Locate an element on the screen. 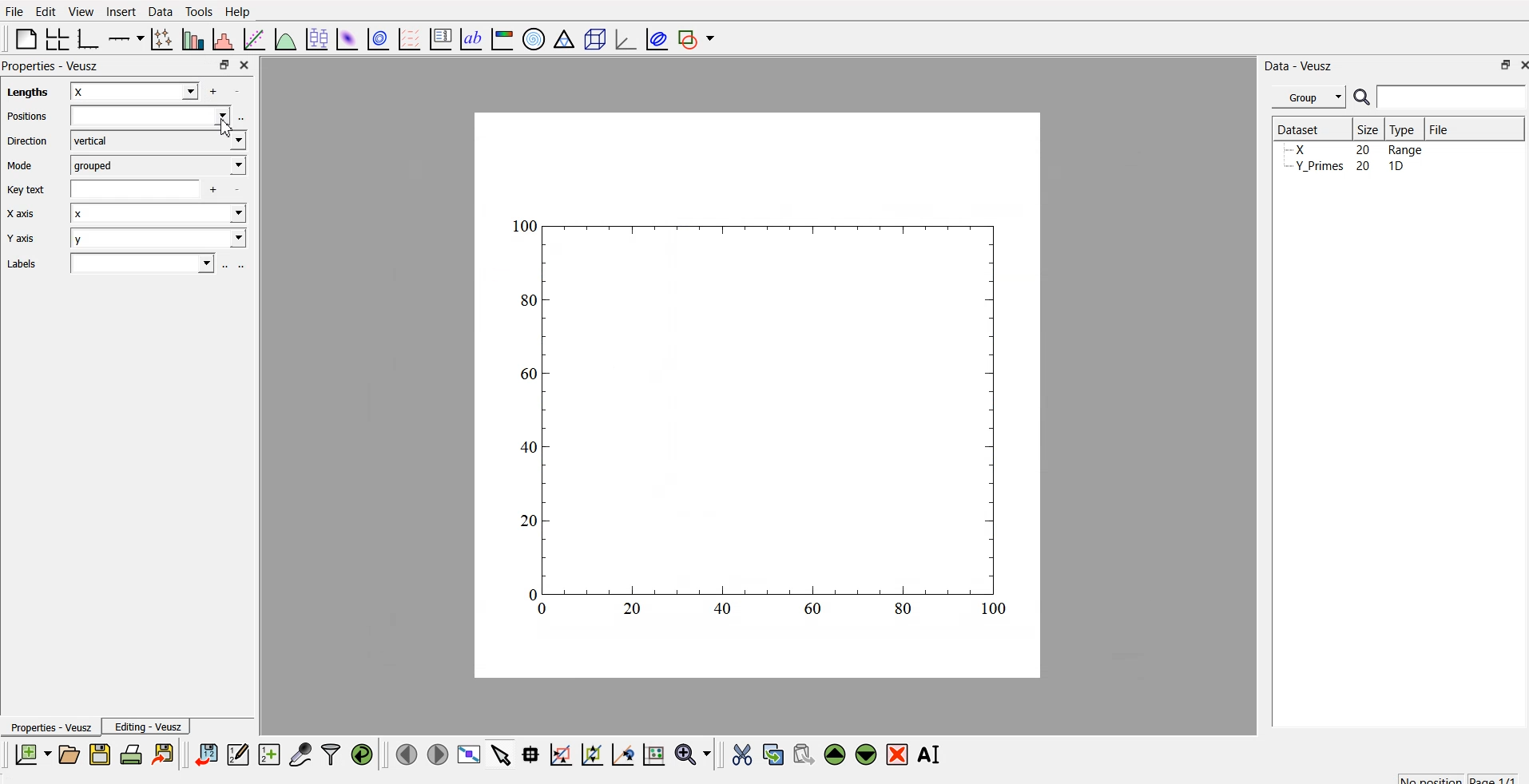 This screenshot has height=784, width=1529. view plot full screen is located at coordinates (470, 754).